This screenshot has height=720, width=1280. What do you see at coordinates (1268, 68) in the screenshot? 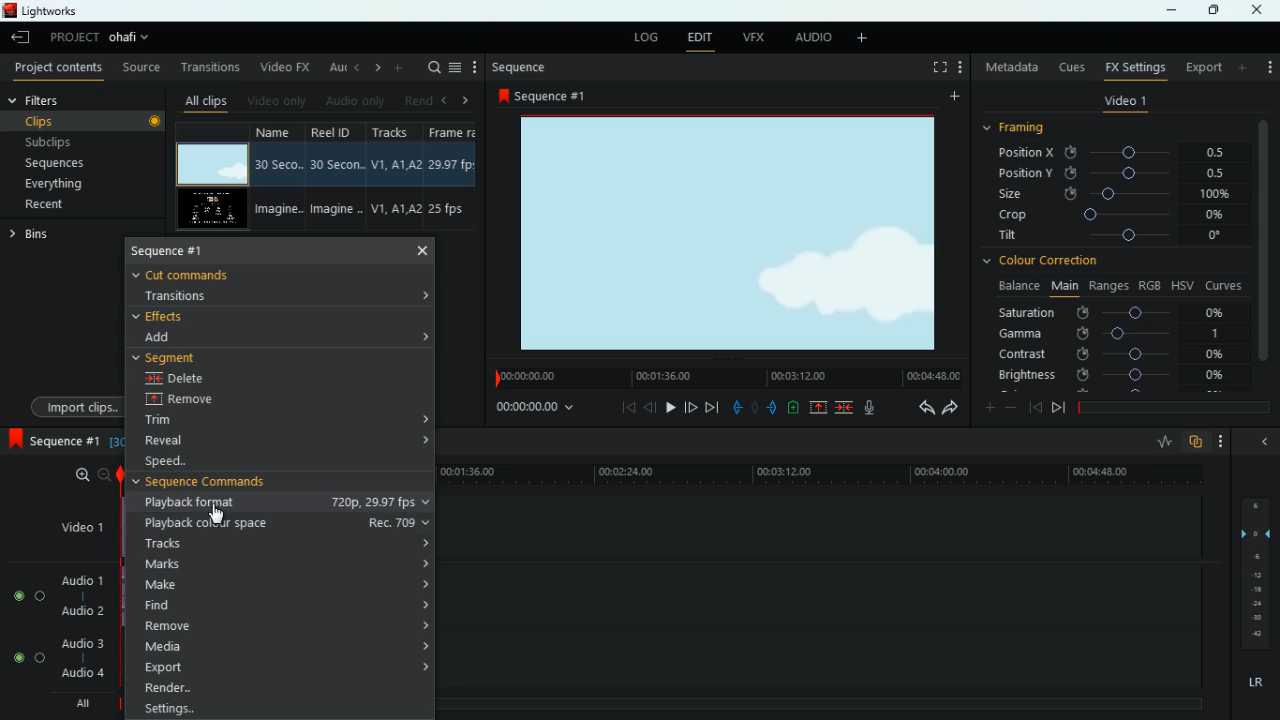
I see `more` at bounding box center [1268, 68].